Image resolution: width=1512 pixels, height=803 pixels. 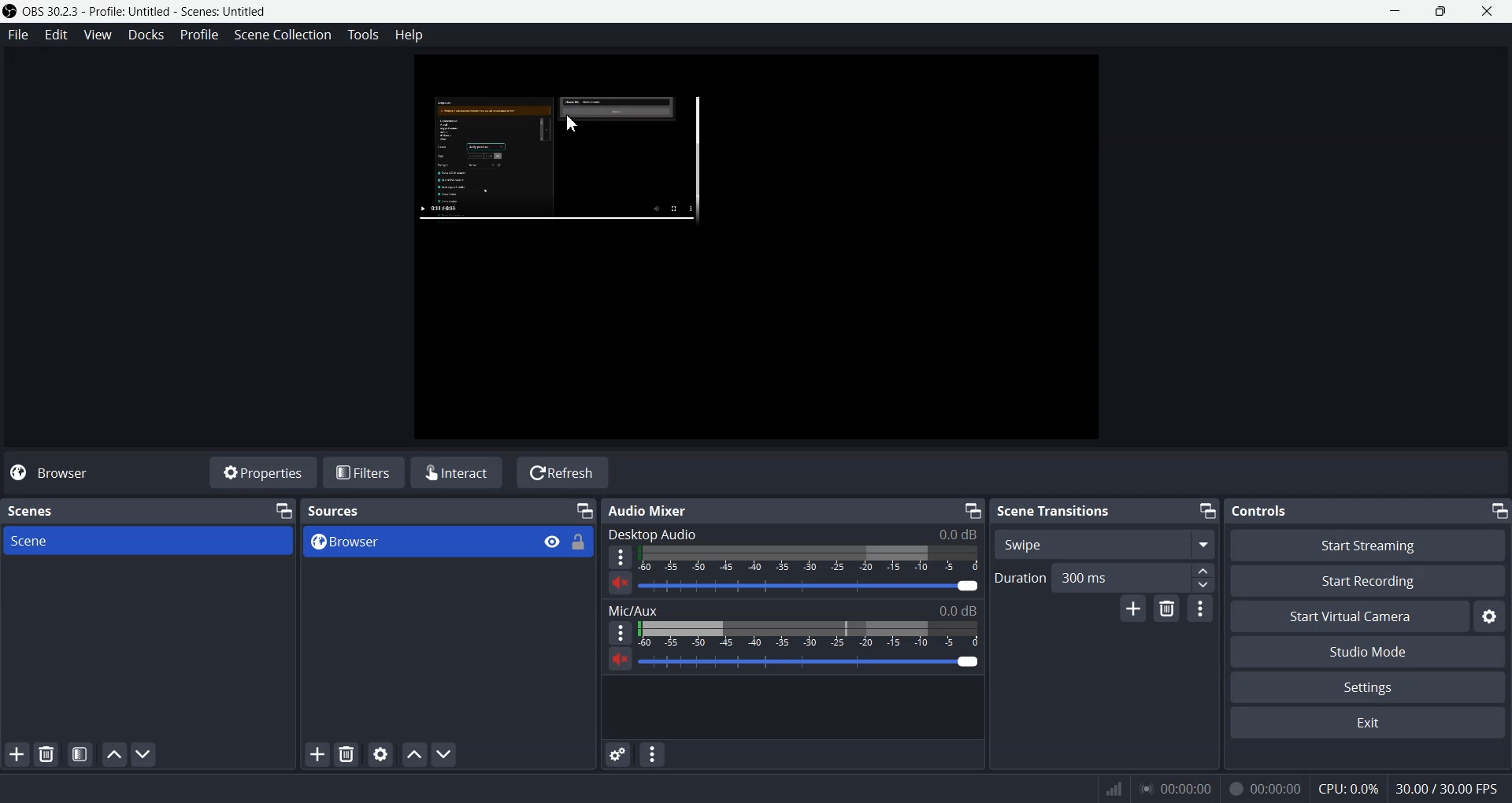 What do you see at coordinates (111, 754) in the screenshot?
I see `Move scene Up` at bounding box center [111, 754].